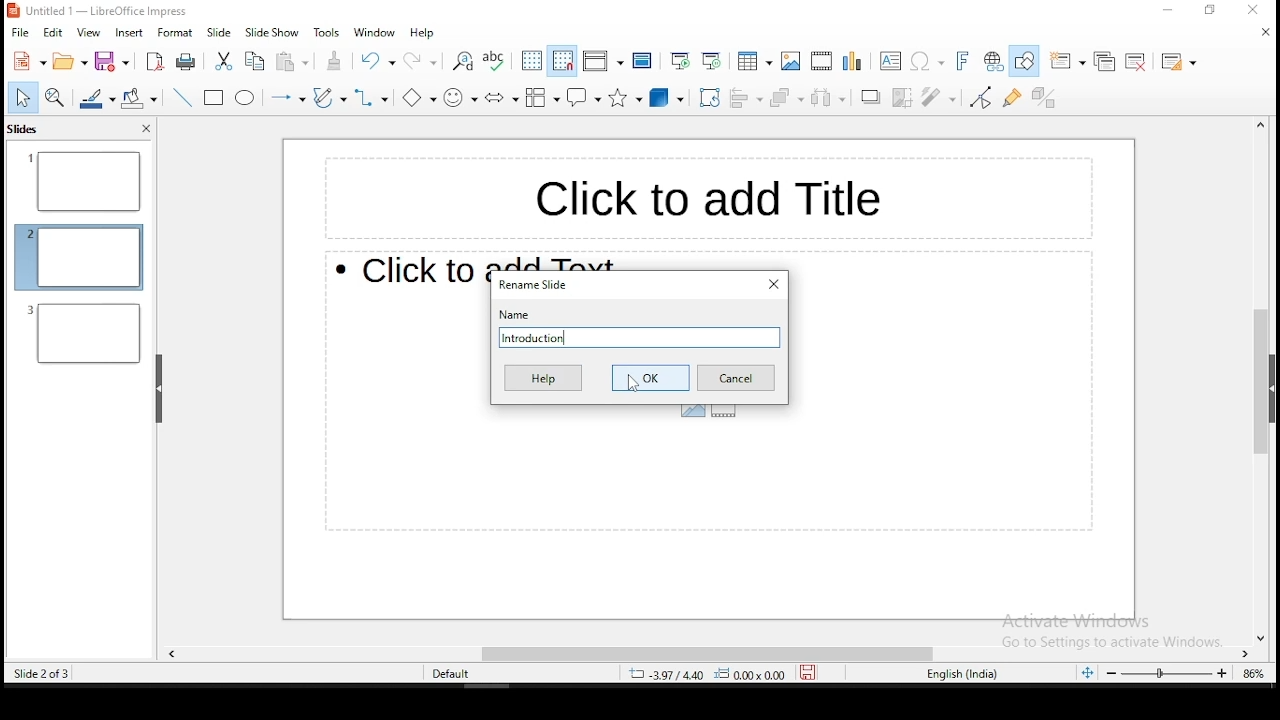  Describe the element at coordinates (21, 32) in the screenshot. I see `file` at that location.